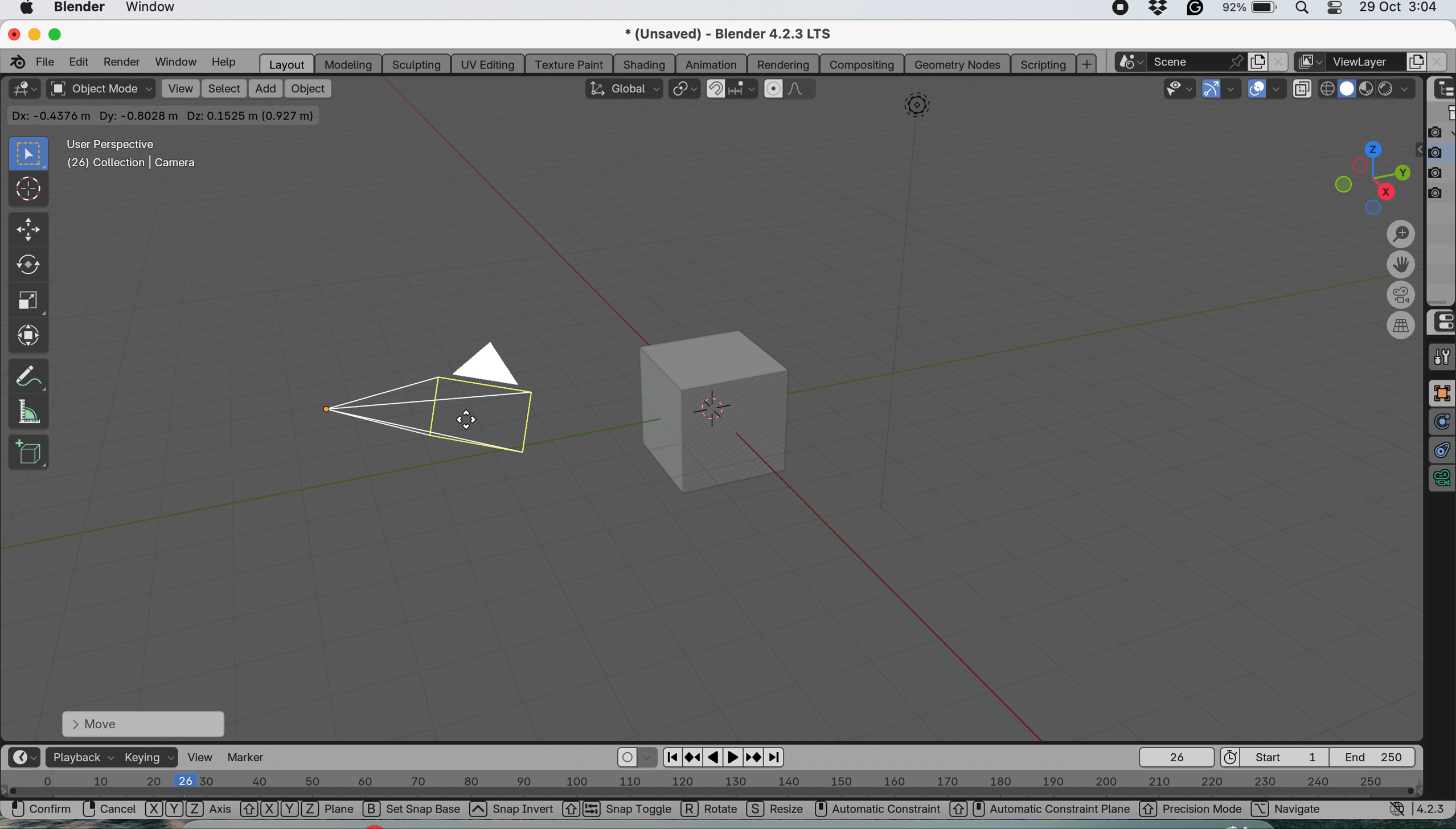 The width and height of the screenshot is (1456, 829). What do you see at coordinates (36, 811) in the screenshot?
I see `confirm` at bounding box center [36, 811].